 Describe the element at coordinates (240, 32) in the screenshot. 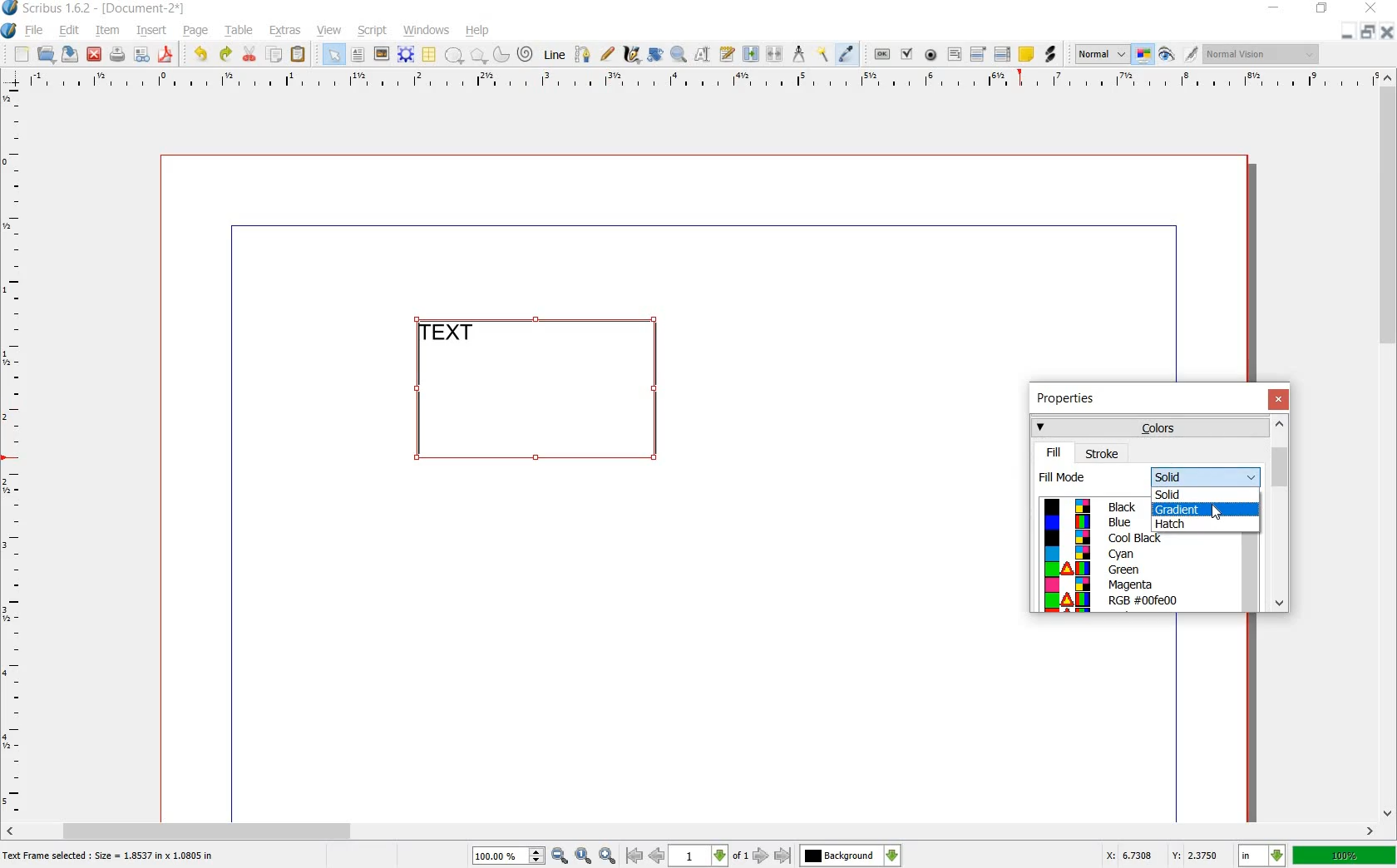

I see `table` at that location.